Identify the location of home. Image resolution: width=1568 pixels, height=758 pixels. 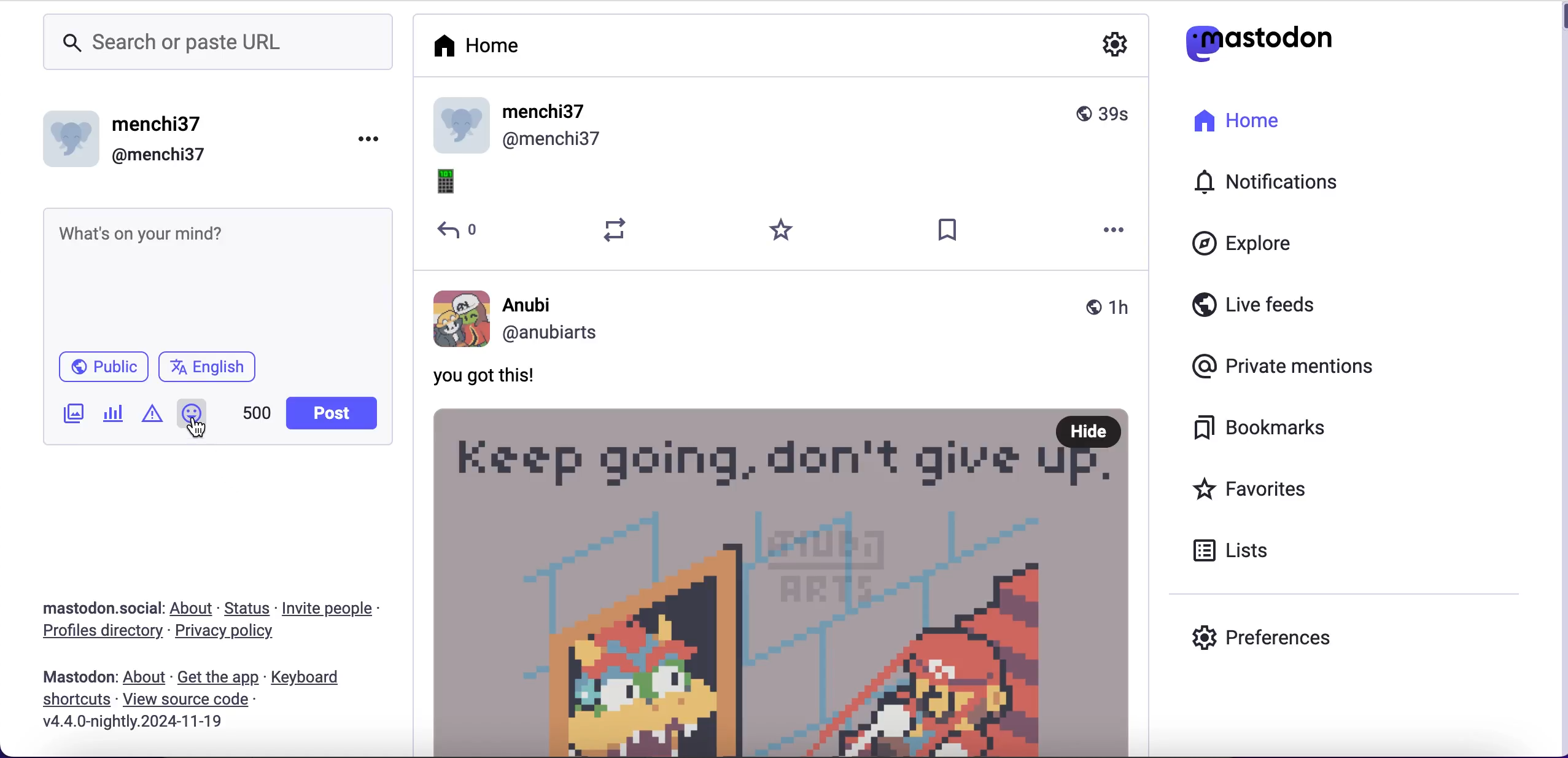
(1234, 128).